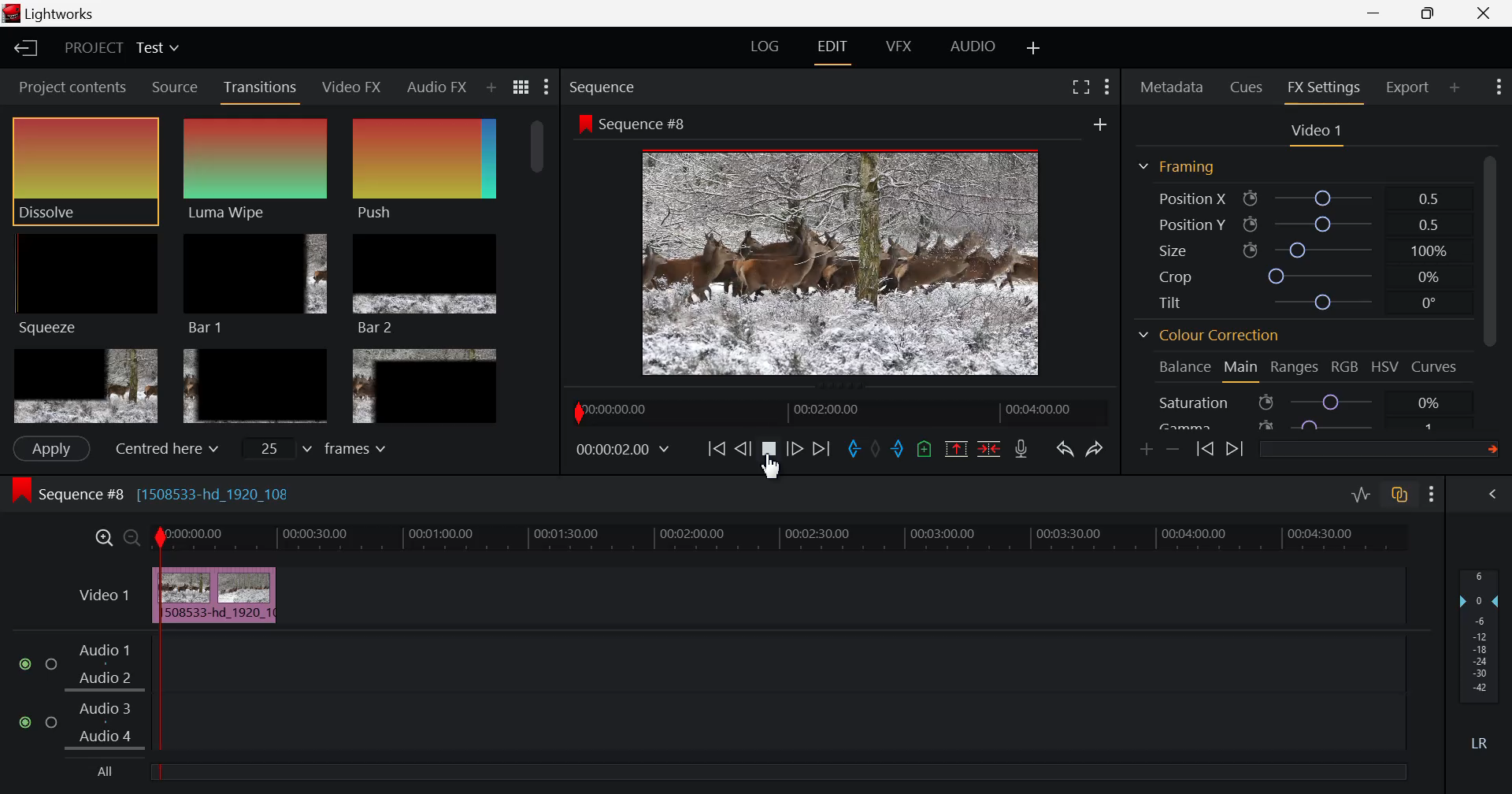 The height and width of the screenshot is (794, 1512). Describe the element at coordinates (132, 540) in the screenshot. I see `Timeline Zoom Out` at that location.